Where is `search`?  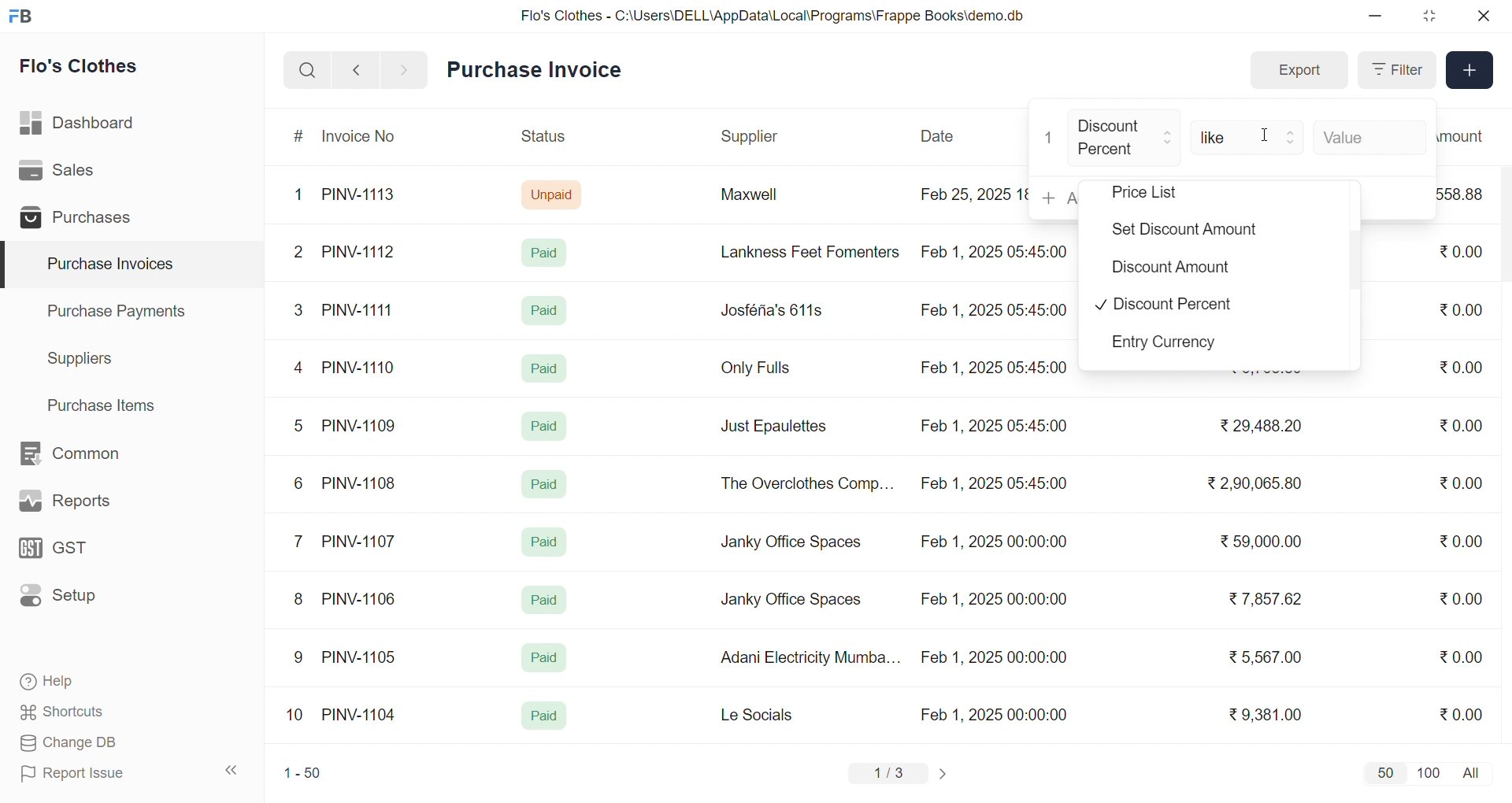
search is located at coordinates (307, 70).